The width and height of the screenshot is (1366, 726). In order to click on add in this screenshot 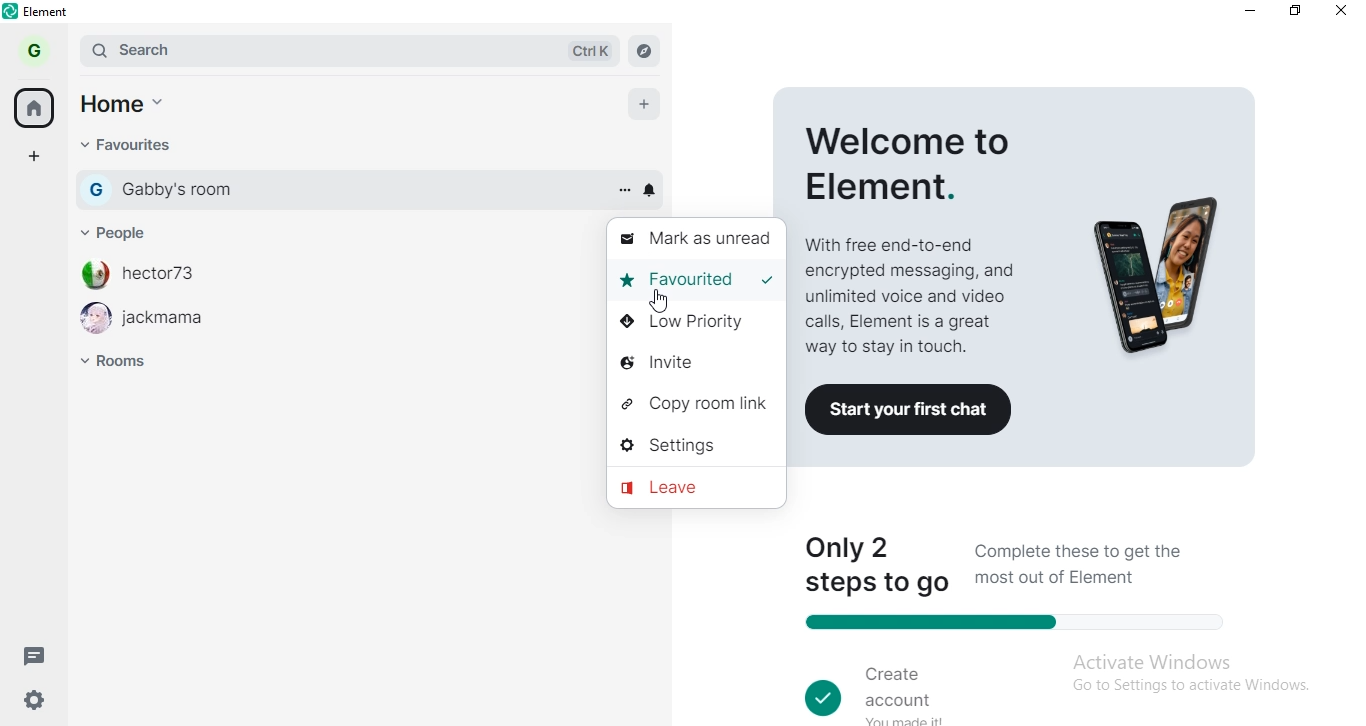, I will do `click(641, 100)`.